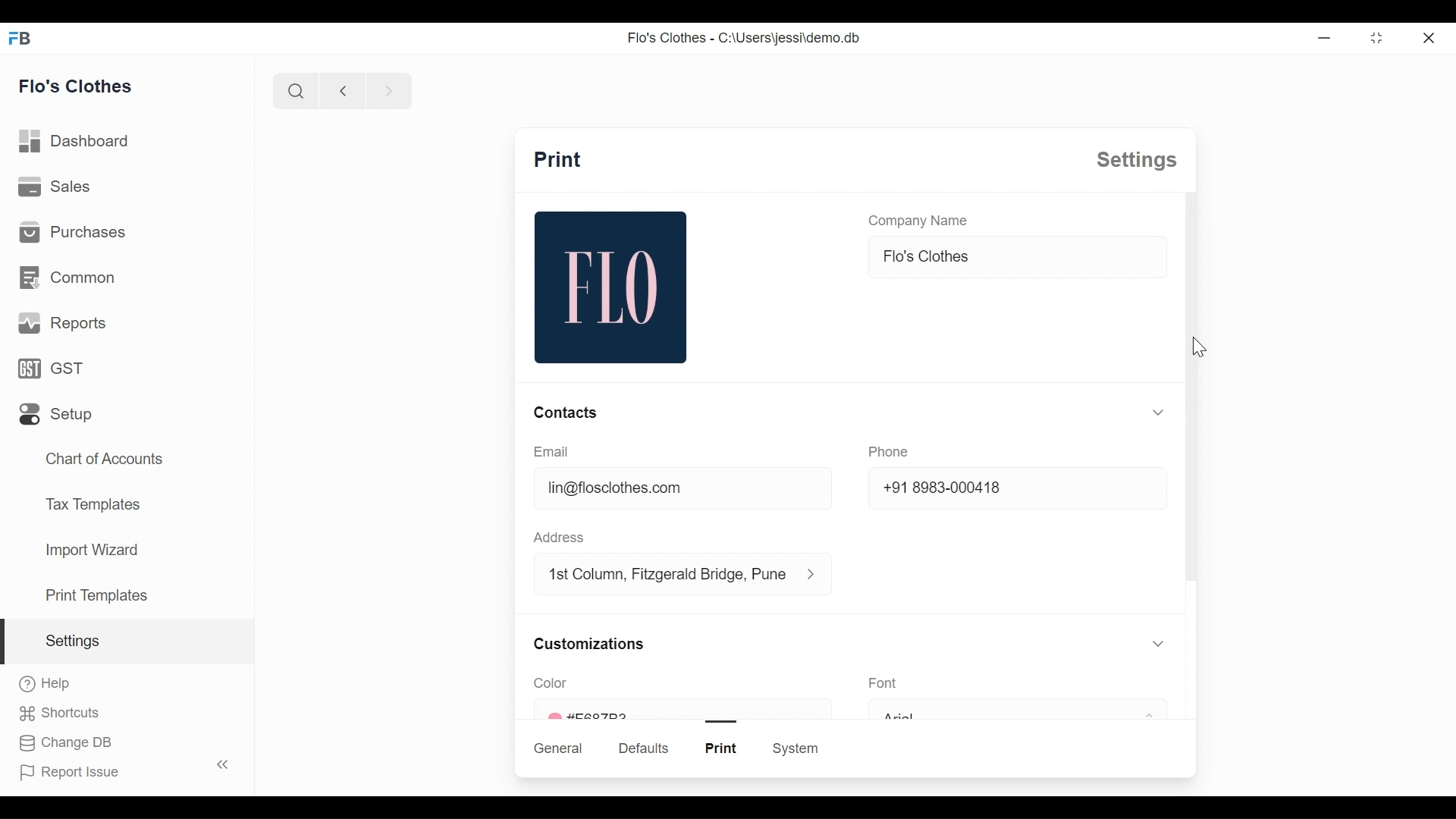 This screenshot has width=1456, height=819. What do you see at coordinates (1018, 488) in the screenshot?
I see `+91 8983-000418` at bounding box center [1018, 488].